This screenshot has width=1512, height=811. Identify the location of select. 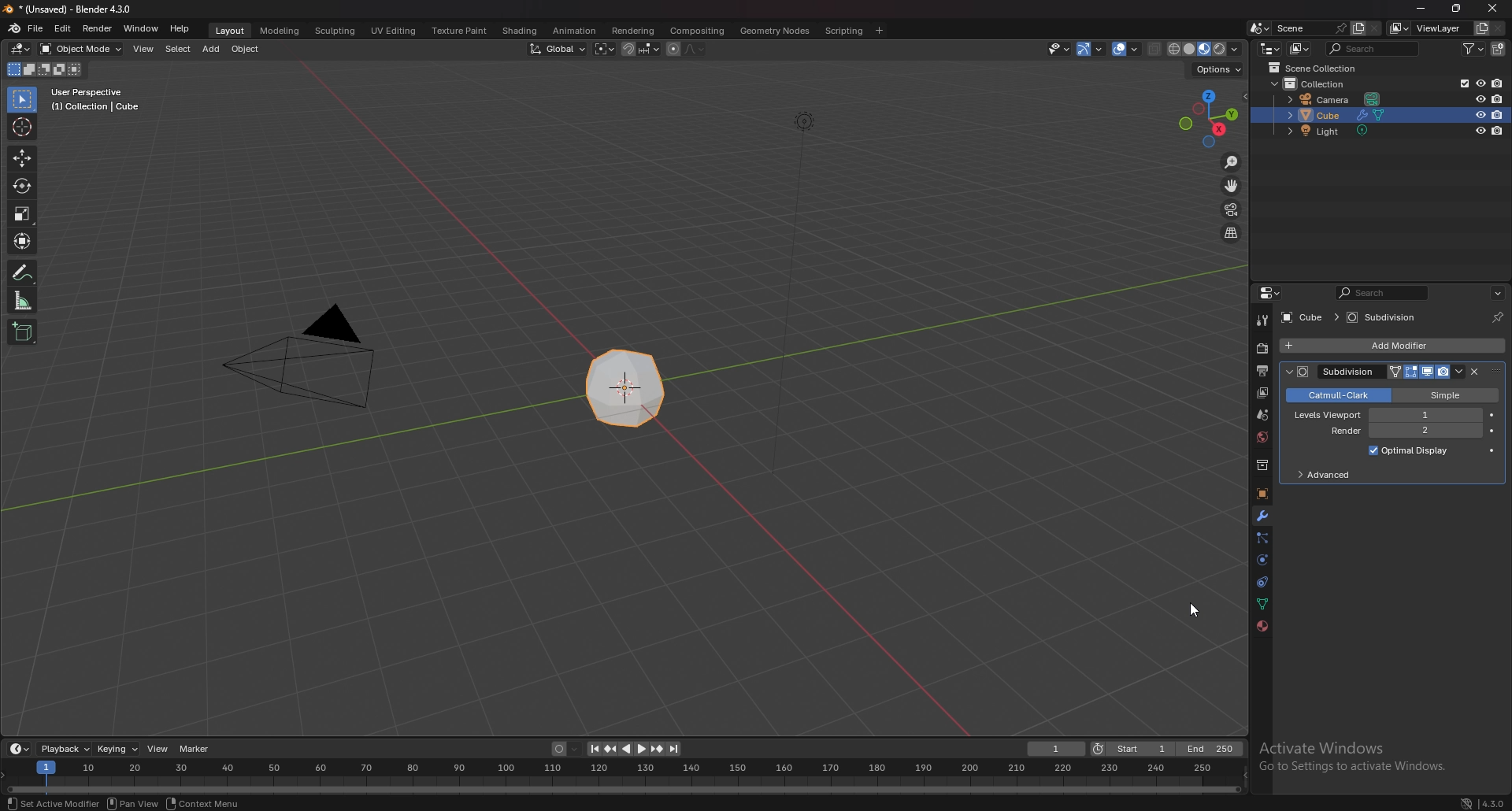
(178, 49).